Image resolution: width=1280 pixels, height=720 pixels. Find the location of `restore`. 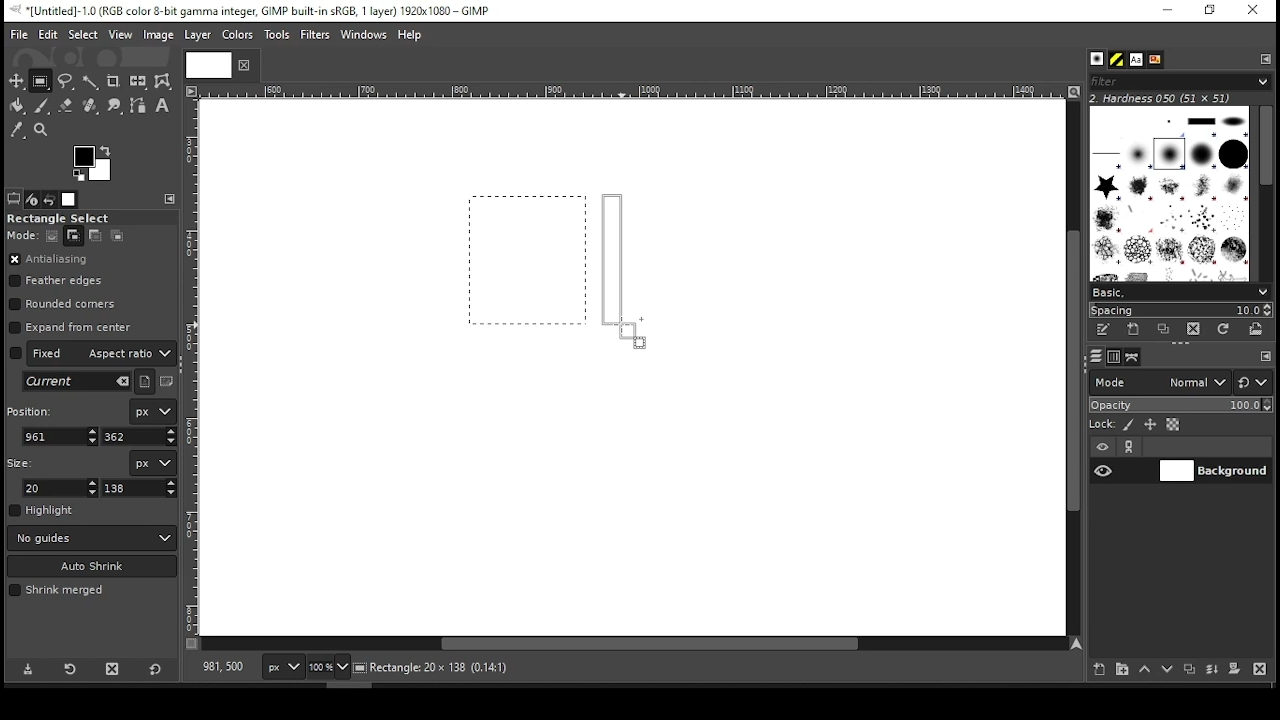

restore is located at coordinates (1212, 11).